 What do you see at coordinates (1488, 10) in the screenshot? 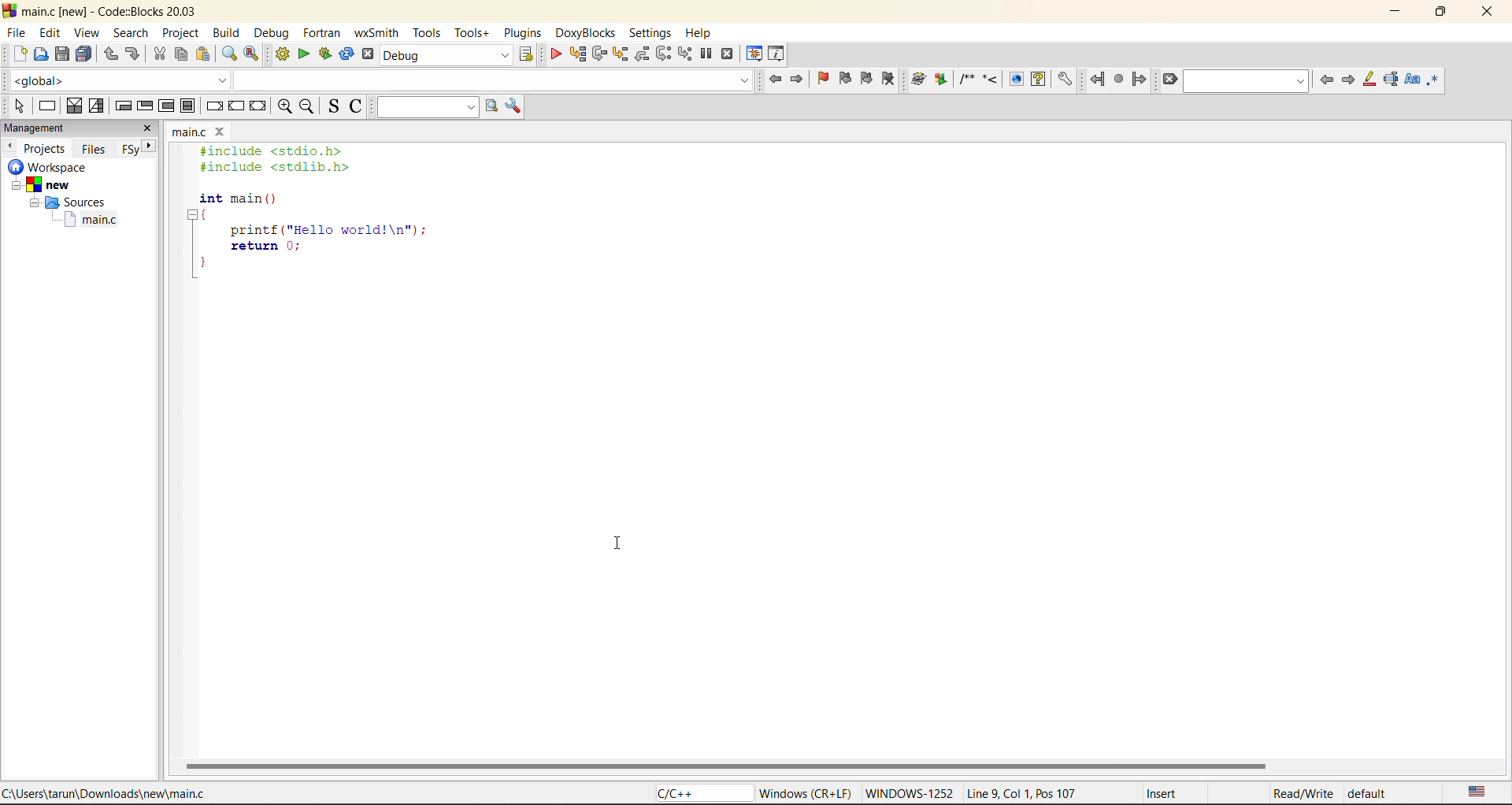
I see `close` at bounding box center [1488, 10].